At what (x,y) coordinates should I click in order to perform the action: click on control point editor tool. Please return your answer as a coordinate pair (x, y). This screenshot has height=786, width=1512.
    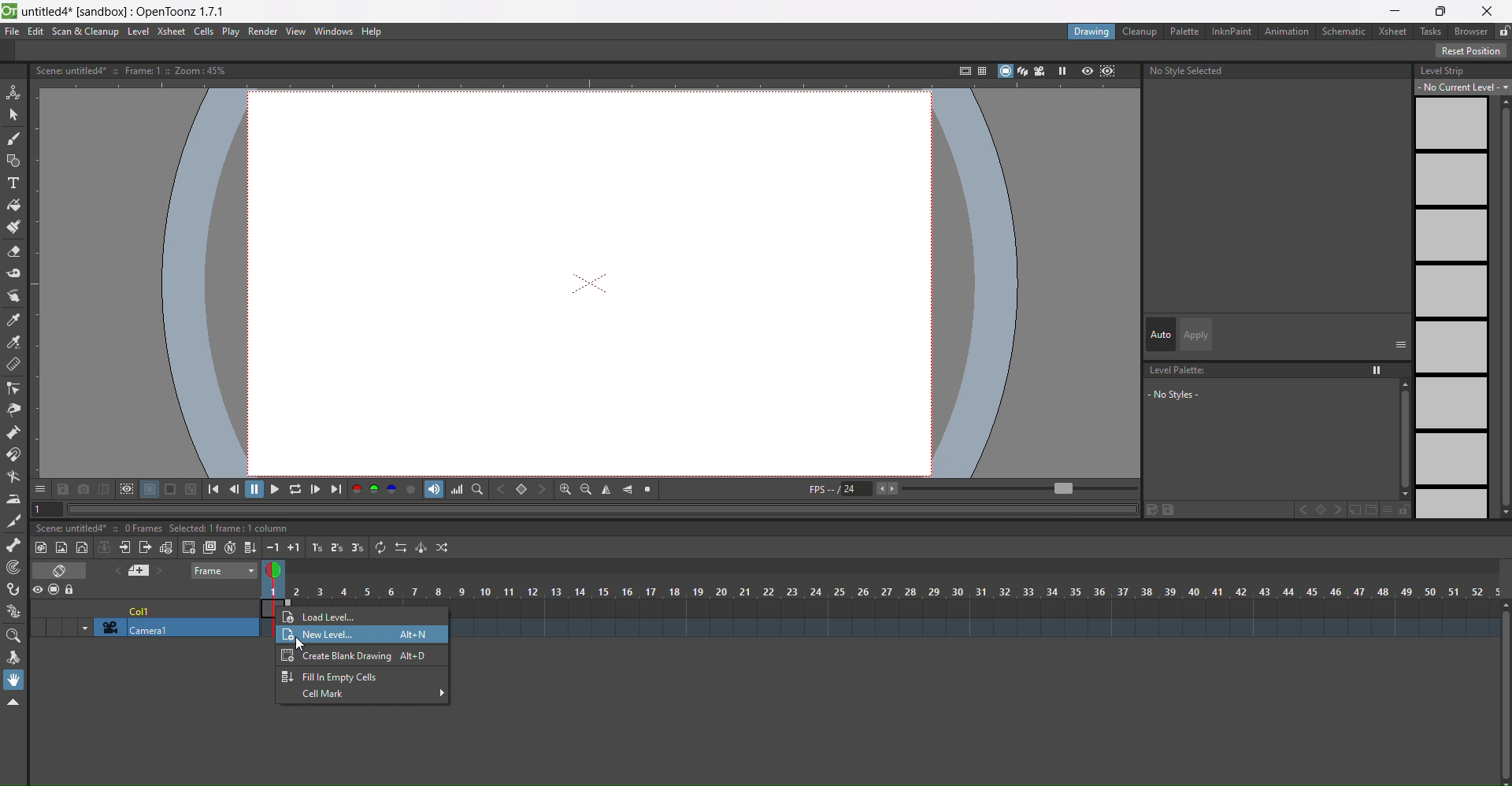
    Looking at the image, I should click on (13, 388).